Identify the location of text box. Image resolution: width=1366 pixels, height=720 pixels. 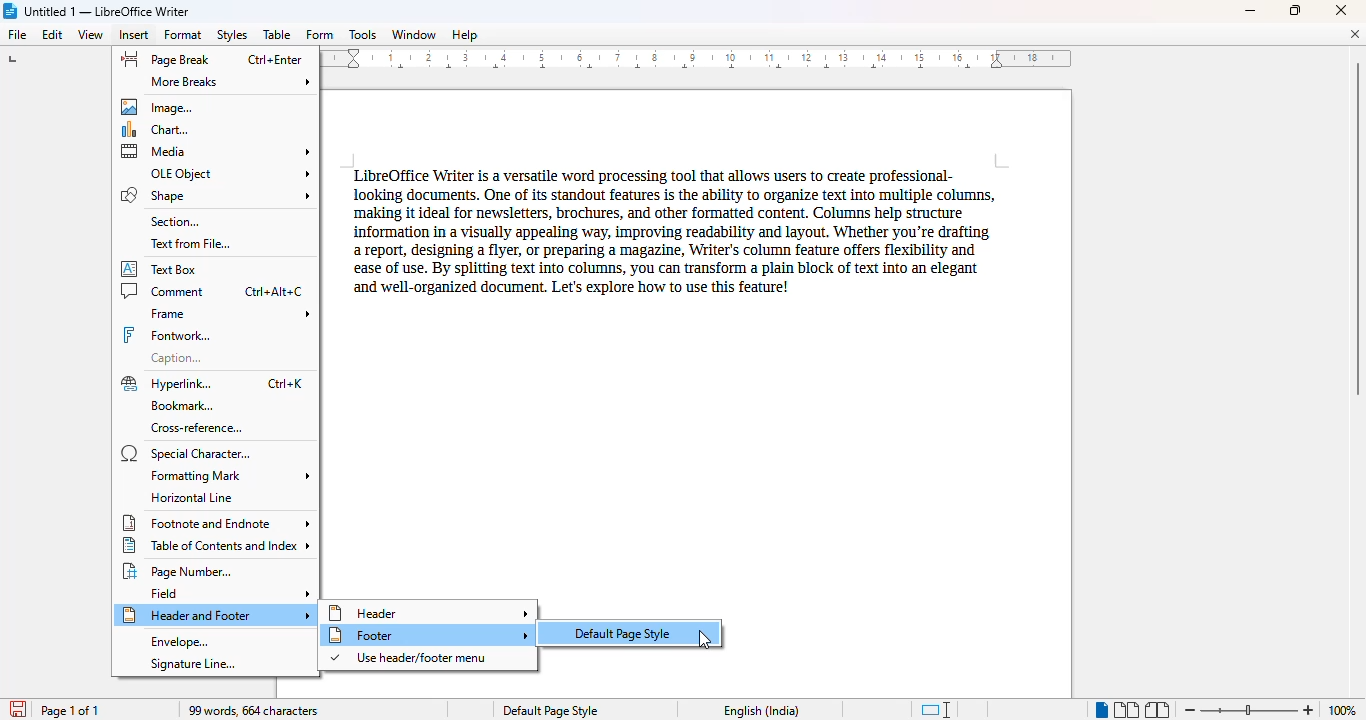
(166, 268).